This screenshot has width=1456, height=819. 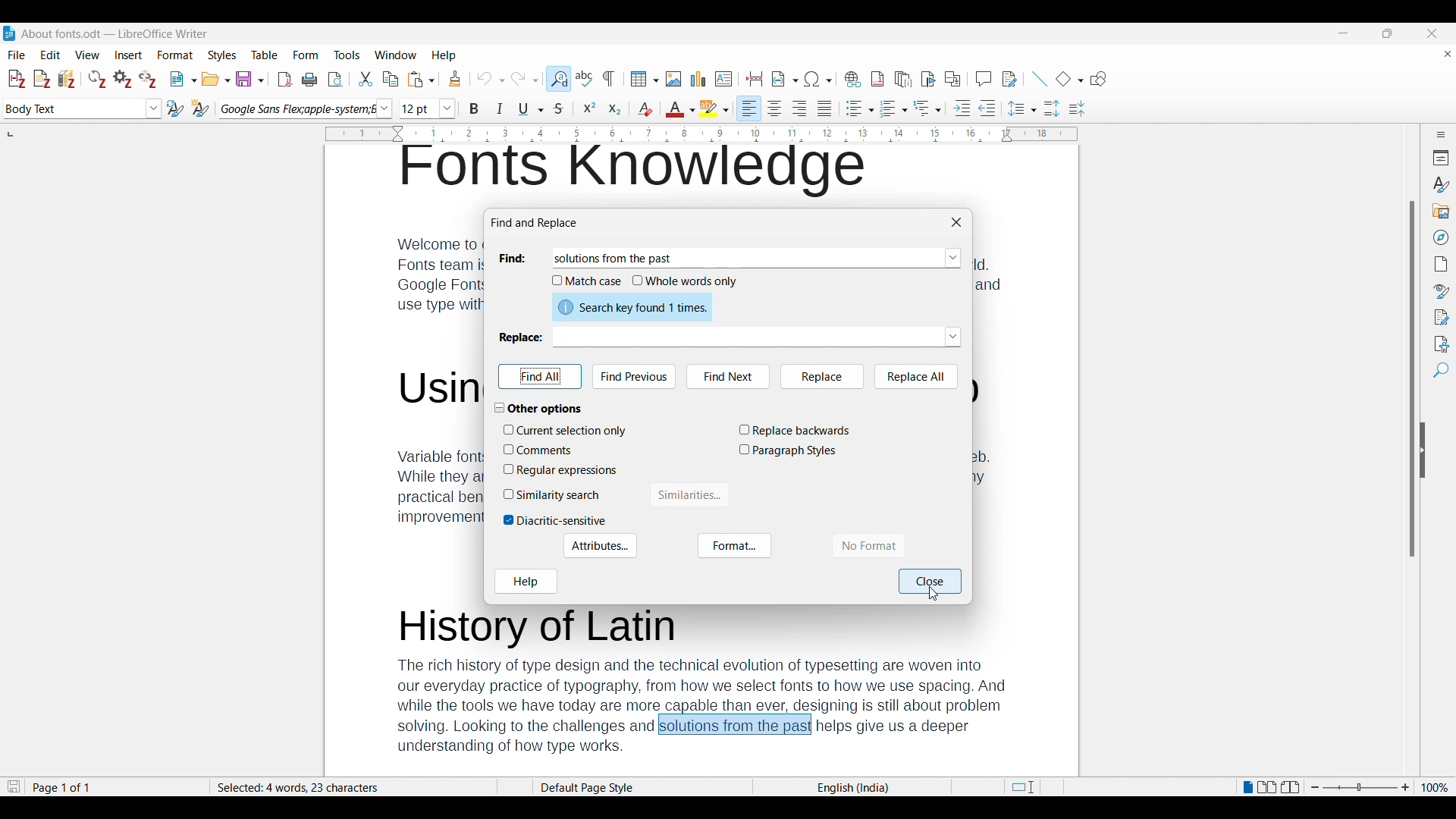 What do you see at coordinates (641, 788) in the screenshot?
I see `Default page style` at bounding box center [641, 788].